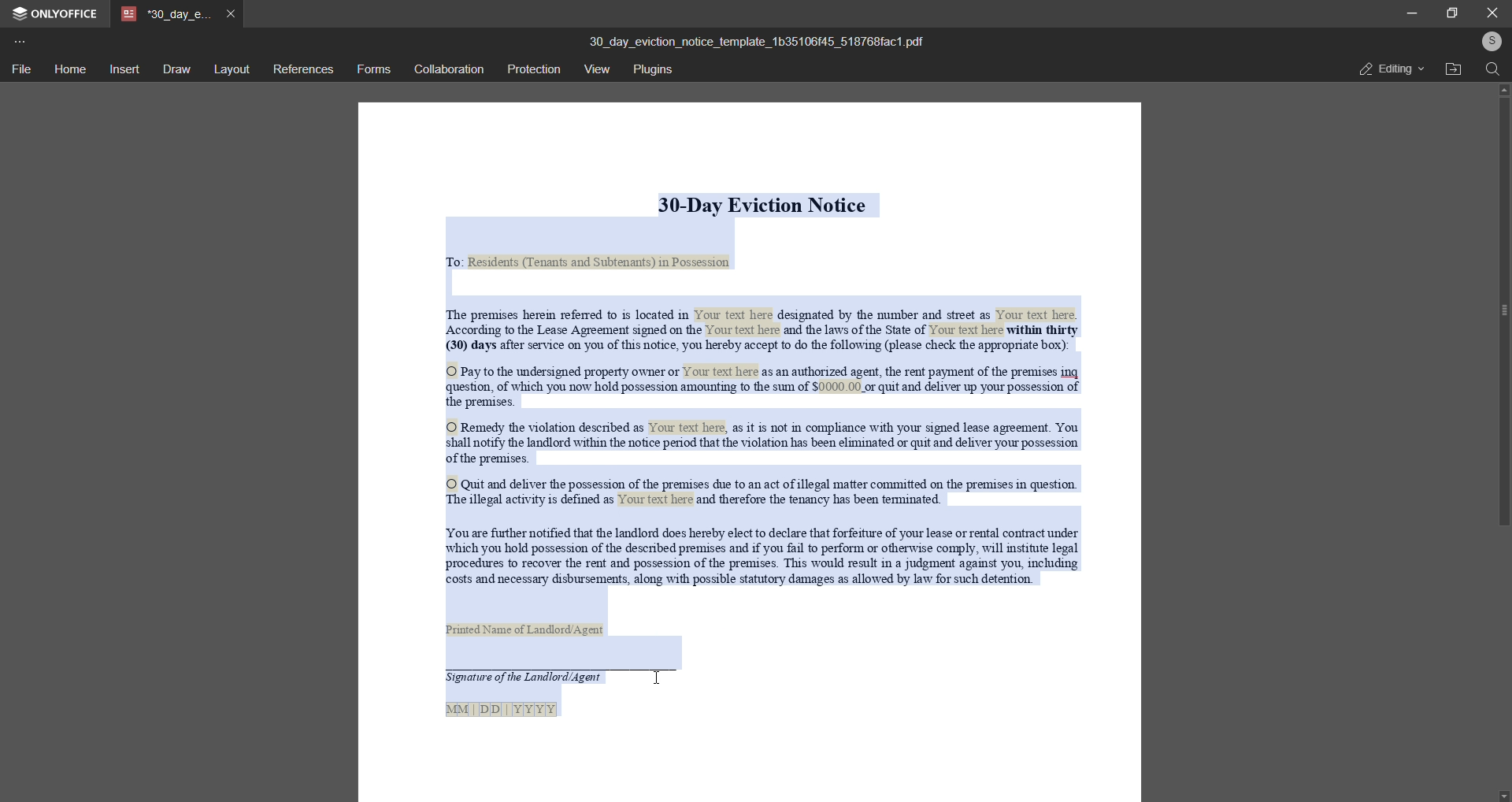  Describe the element at coordinates (230, 69) in the screenshot. I see `layout` at that location.